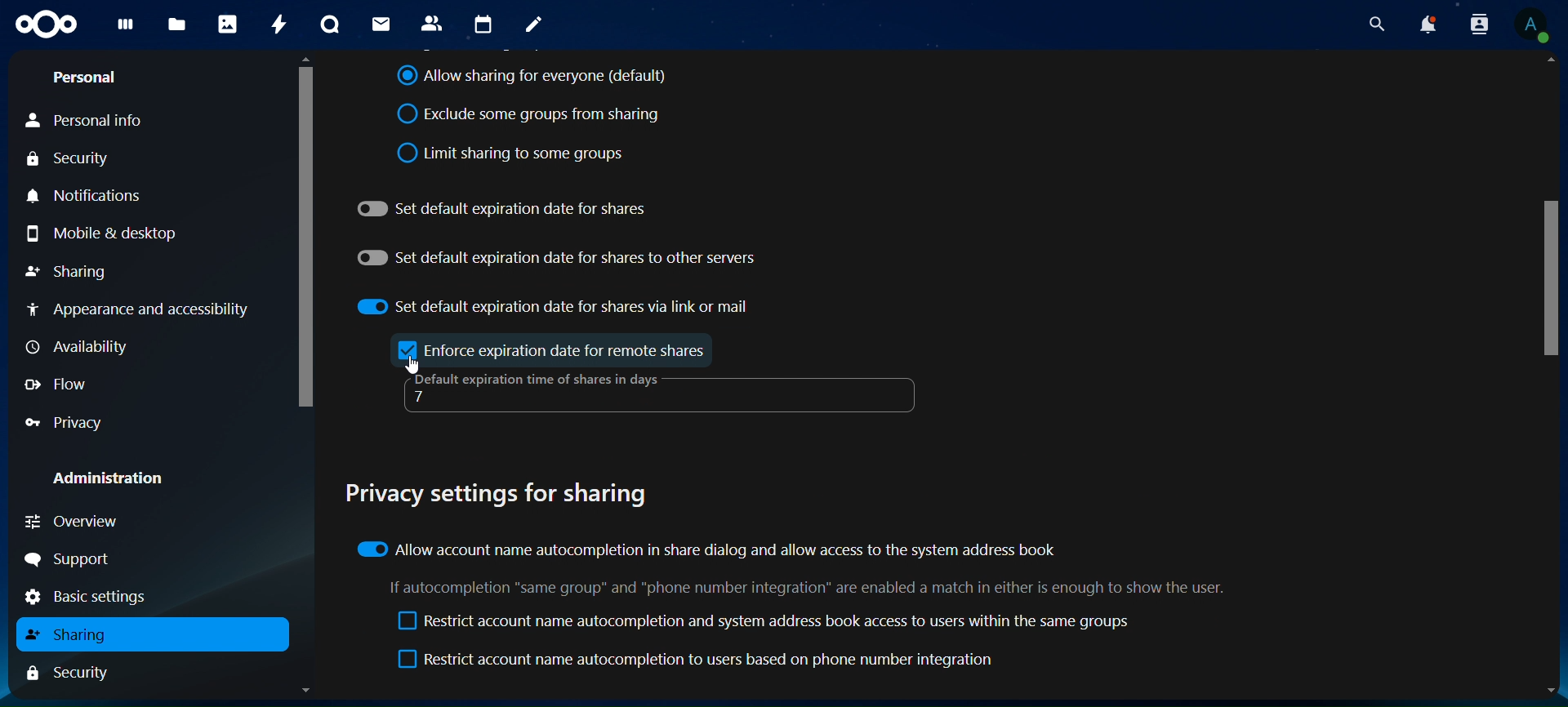 This screenshot has width=1568, height=707. I want to click on limit sharing to some groups, so click(513, 150).